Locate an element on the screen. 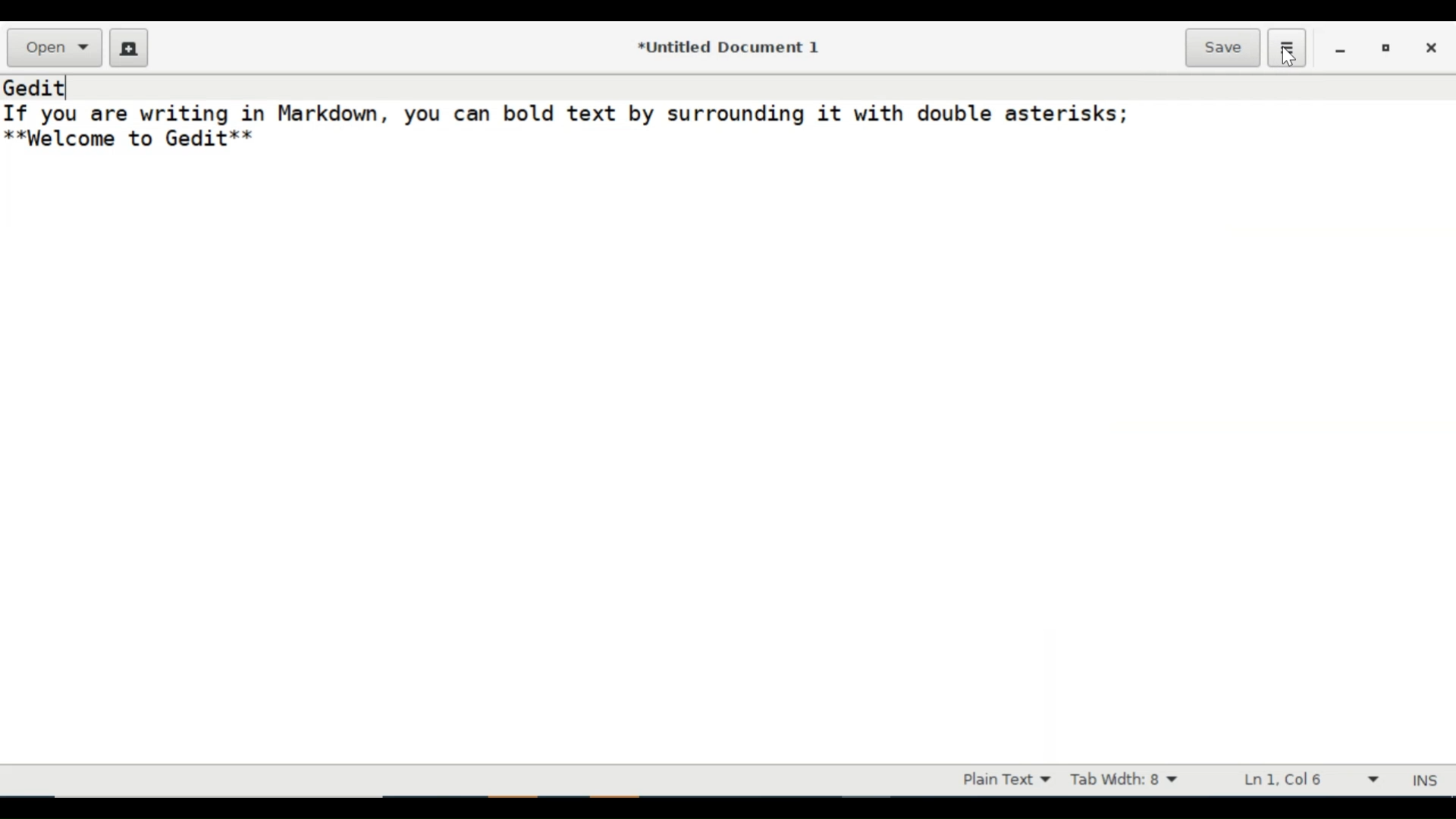 The image size is (1456, 819). Create a new Document is located at coordinates (128, 47).